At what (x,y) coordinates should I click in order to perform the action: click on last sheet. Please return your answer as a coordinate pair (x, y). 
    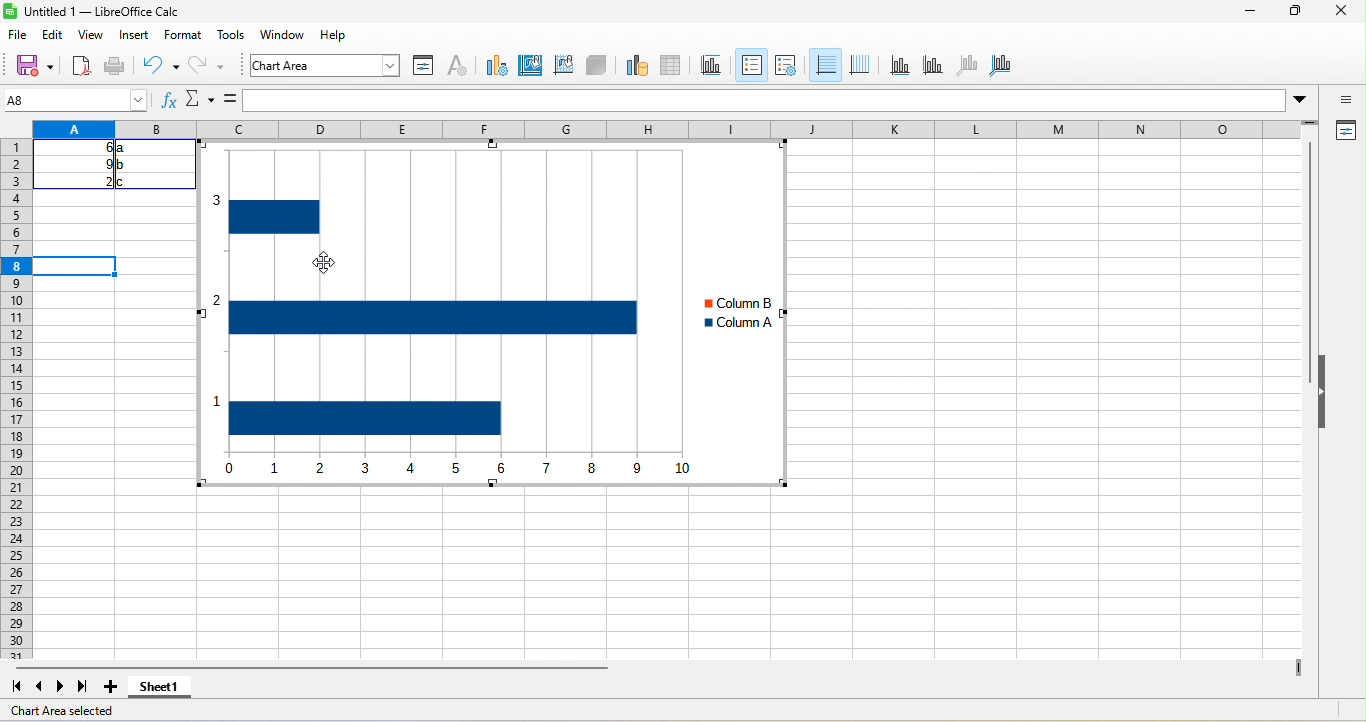
    Looking at the image, I should click on (82, 684).